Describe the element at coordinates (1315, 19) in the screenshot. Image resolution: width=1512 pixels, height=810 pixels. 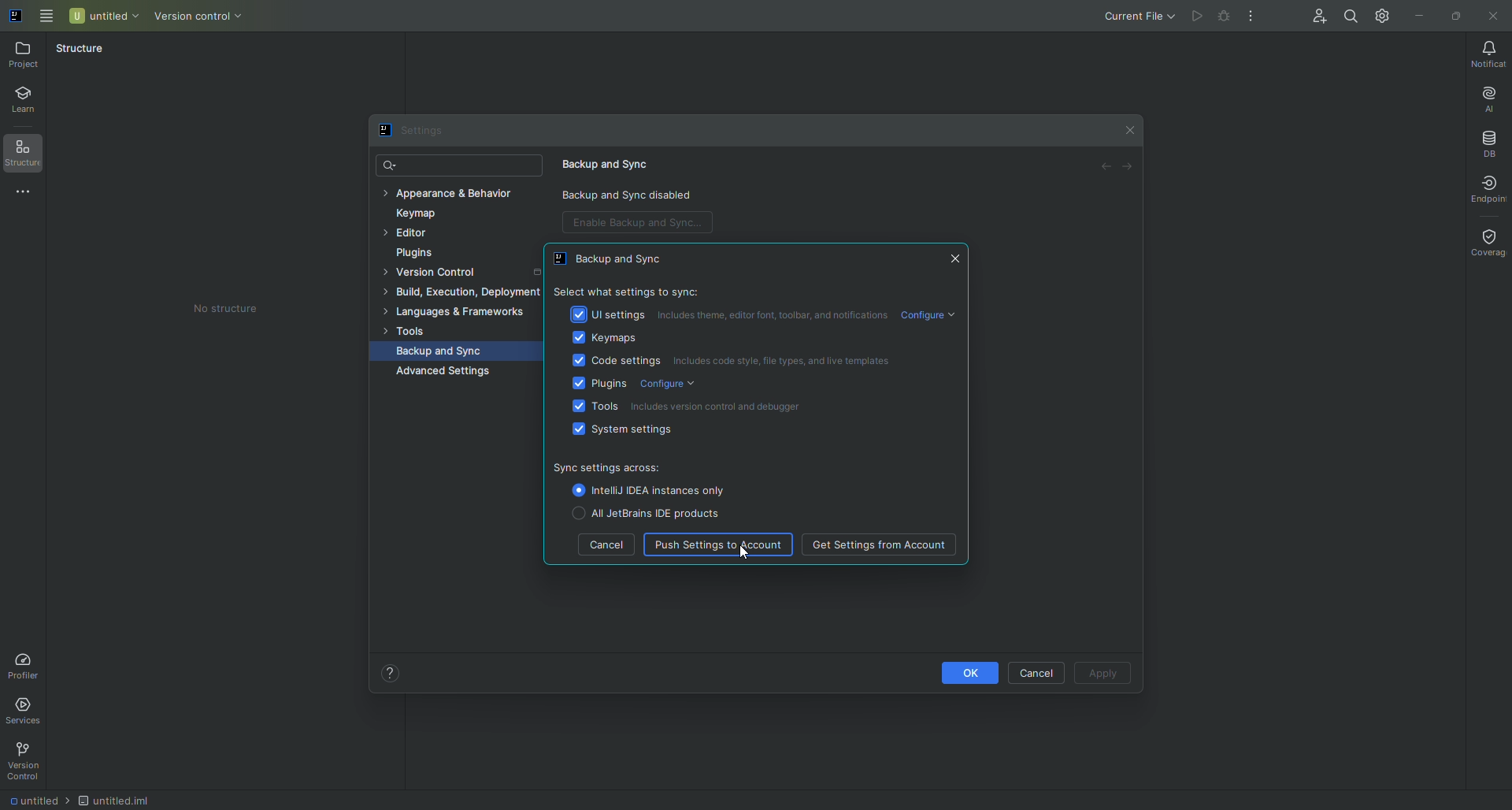
I see `Code With Me` at that location.